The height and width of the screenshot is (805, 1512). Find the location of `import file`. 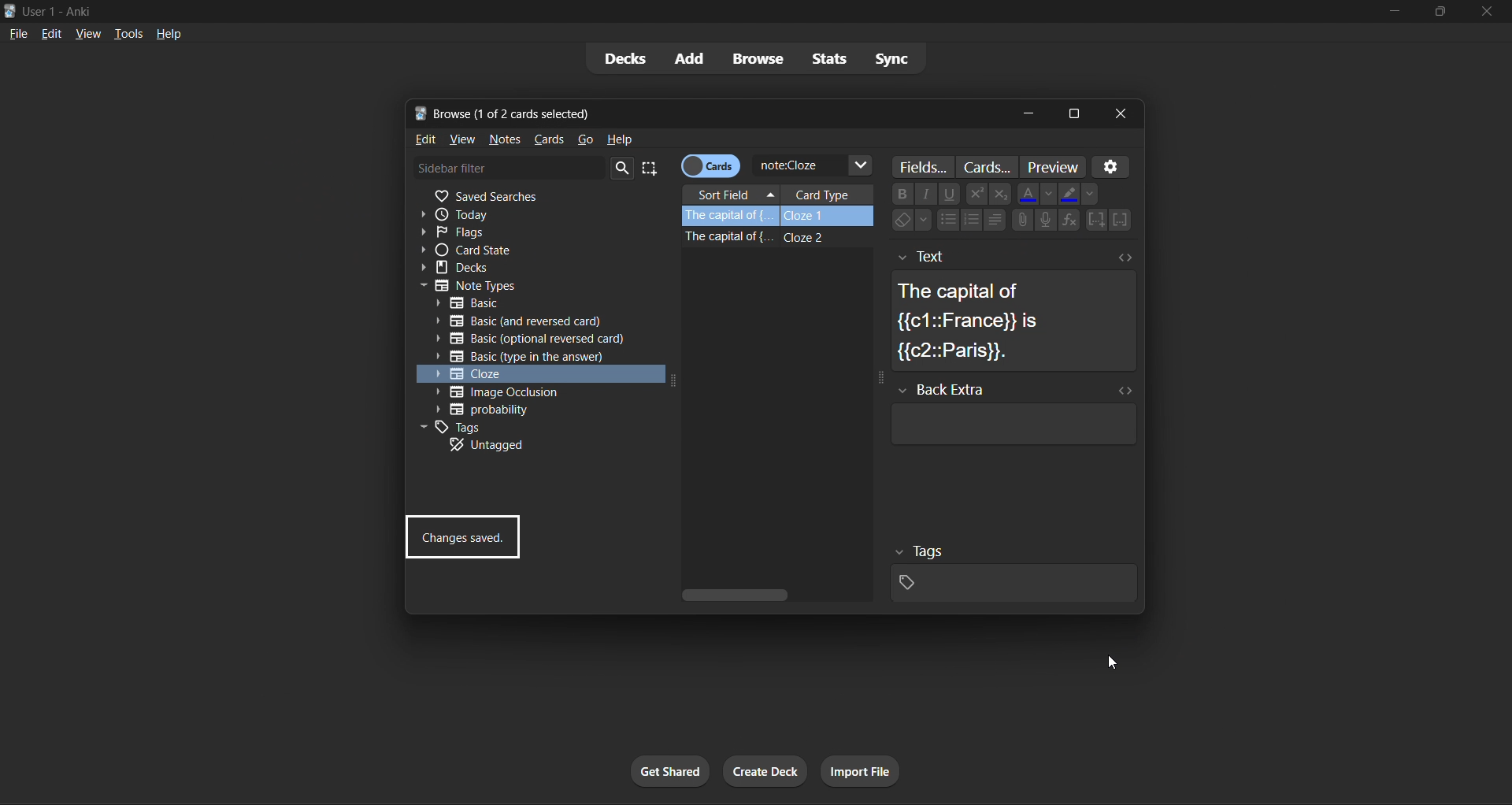

import file is located at coordinates (862, 768).